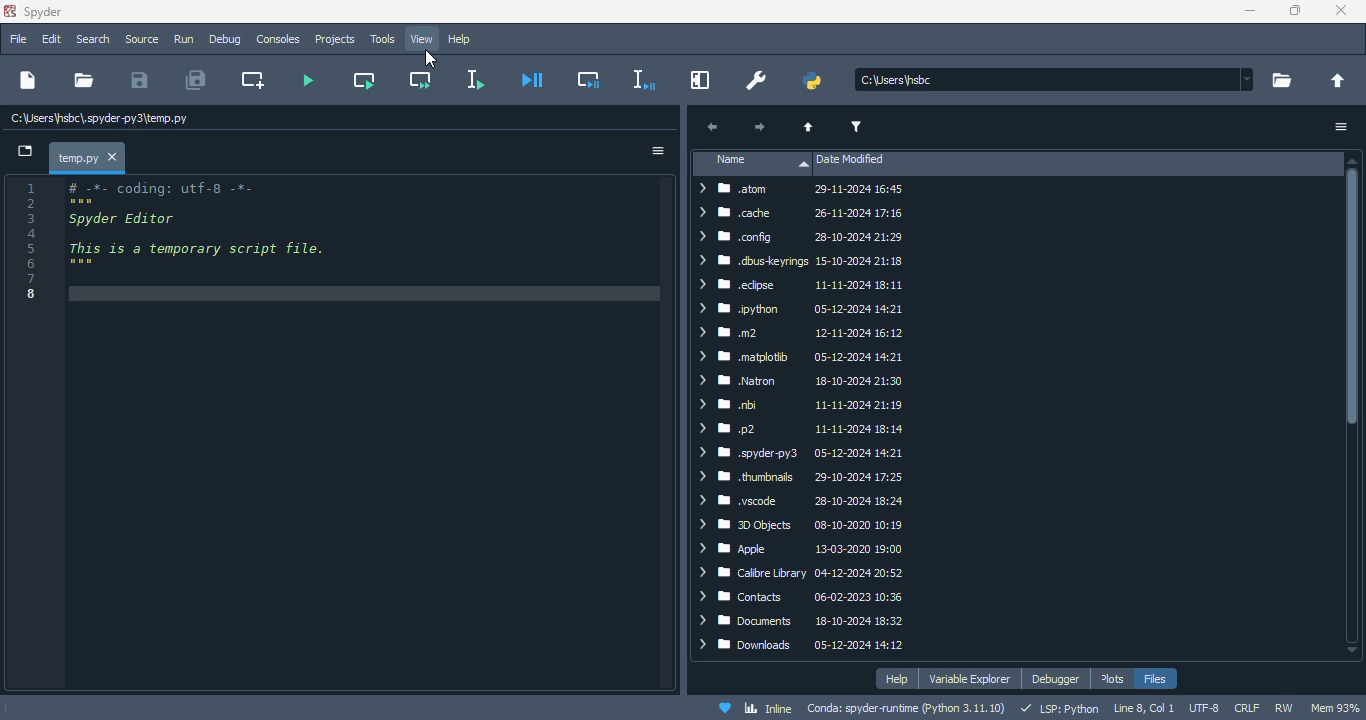 The width and height of the screenshot is (1366, 720). What do you see at coordinates (382, 39) in the screenshot?
I see `tools` at bounding box center [382, 39].